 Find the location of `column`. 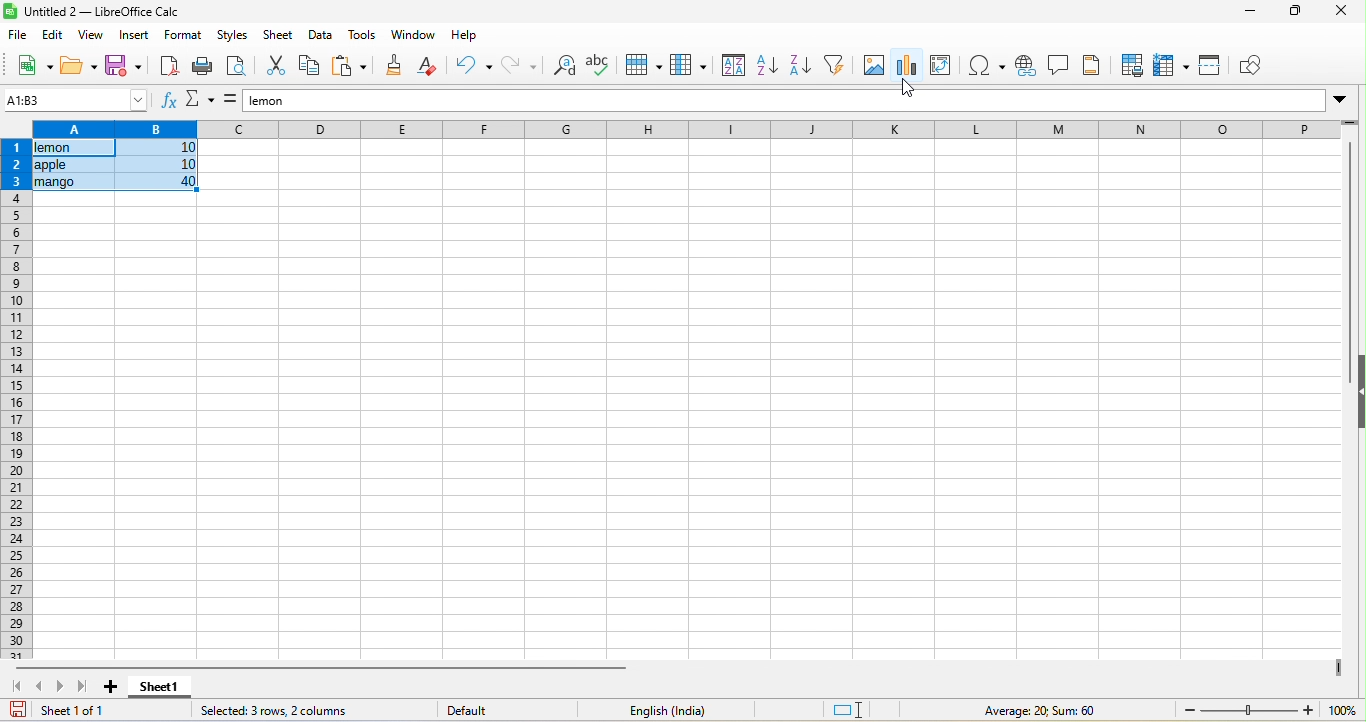

column is located at coordinates (689, 66).